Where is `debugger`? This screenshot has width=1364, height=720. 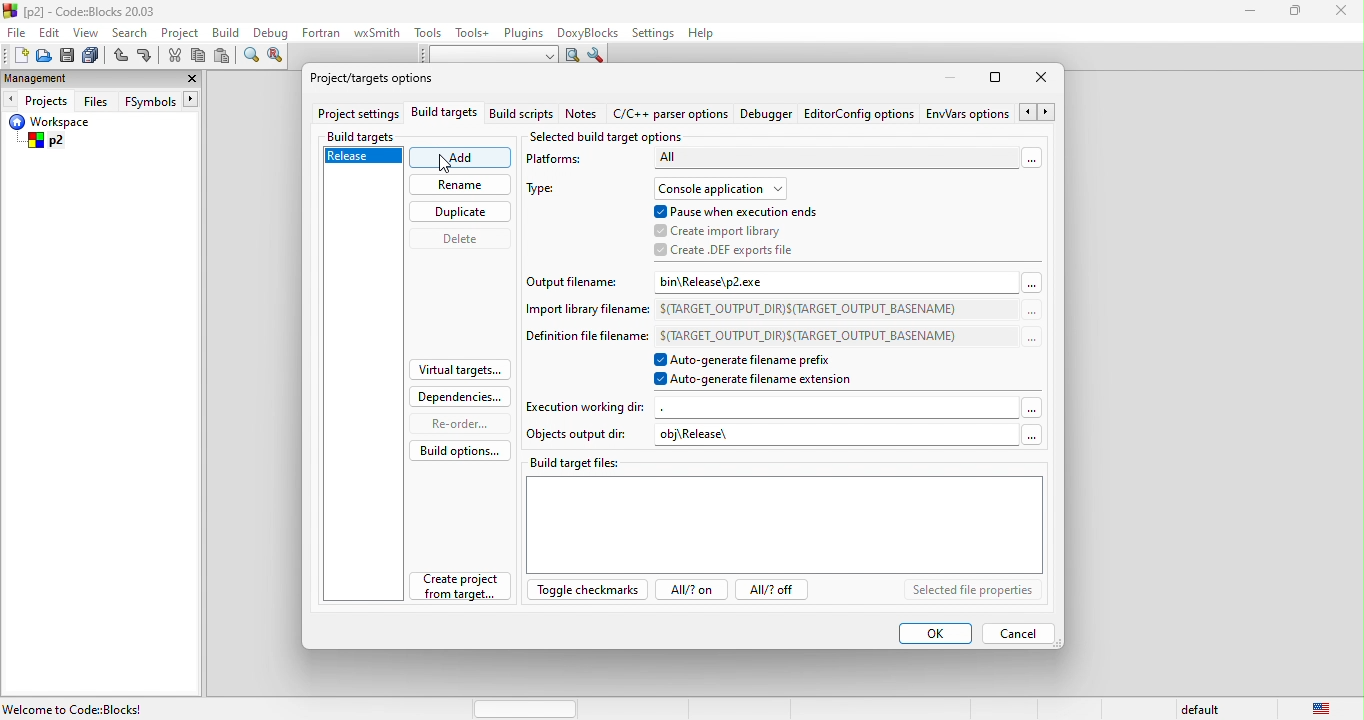 debugger is located at coordinates (768, 113).